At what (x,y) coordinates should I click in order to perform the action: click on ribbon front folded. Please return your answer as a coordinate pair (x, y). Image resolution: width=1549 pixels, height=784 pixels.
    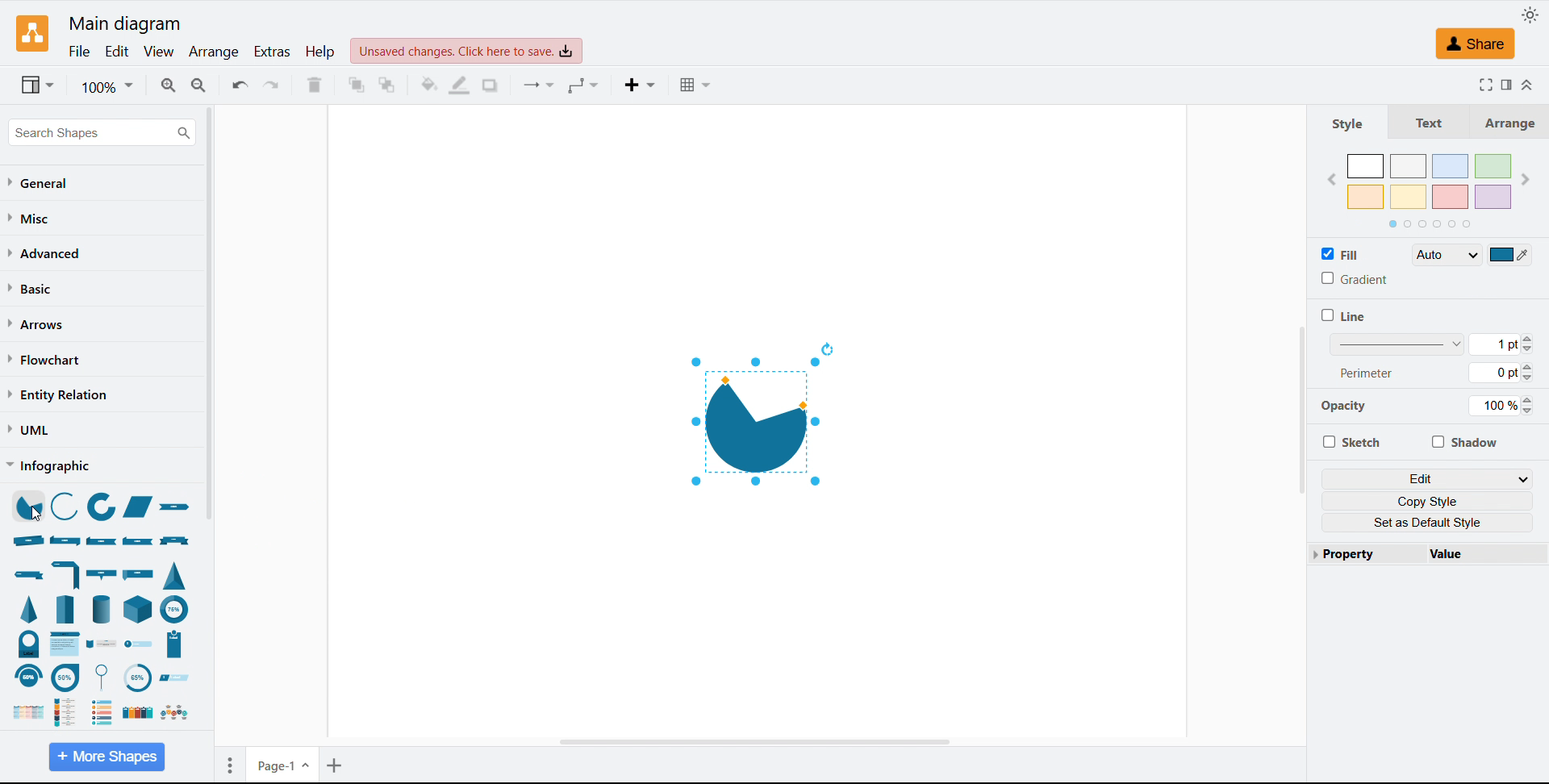
    Looking at the image, I should click on (102, 541).